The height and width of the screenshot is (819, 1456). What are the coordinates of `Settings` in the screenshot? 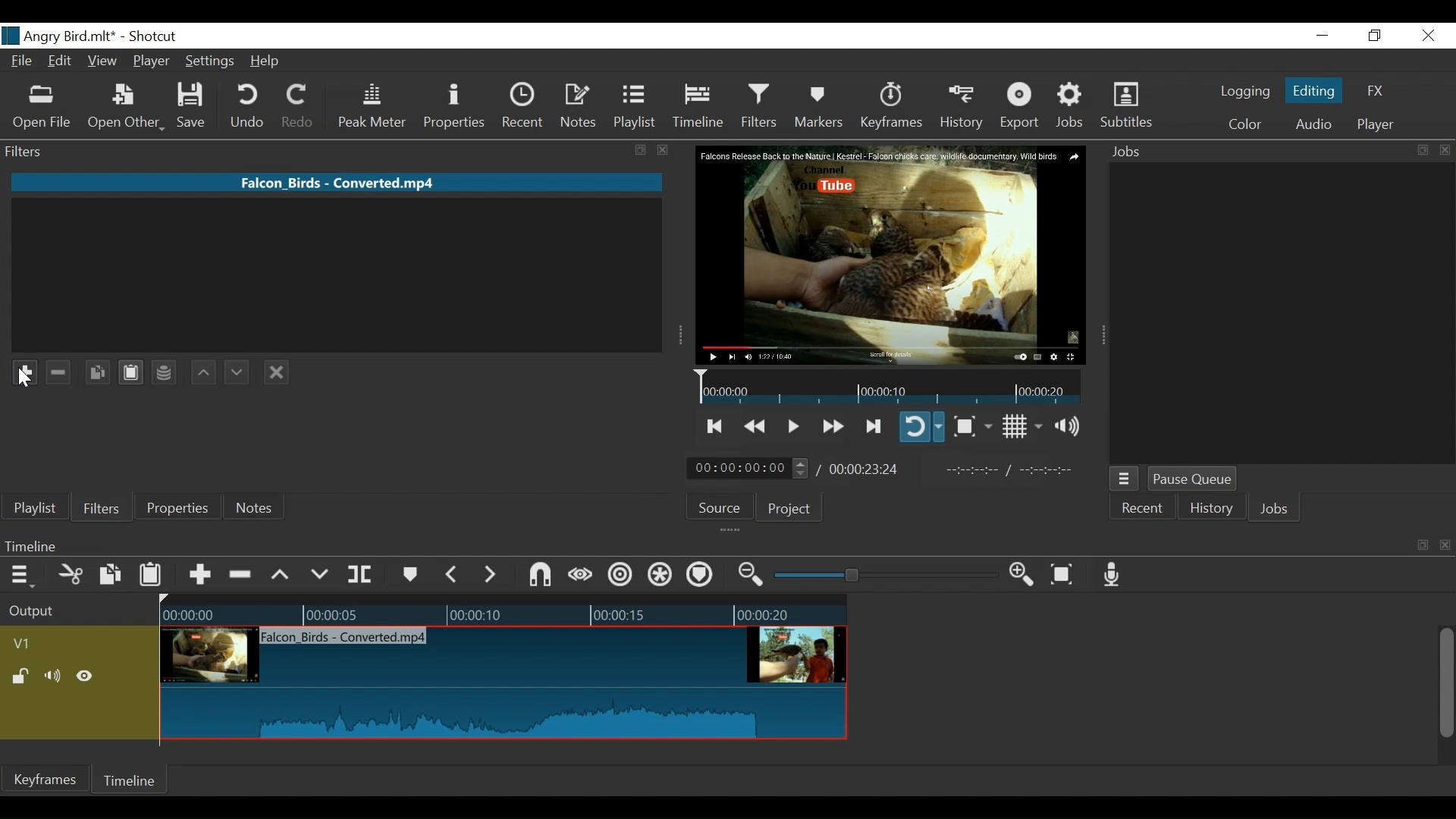 It's located at (211, 63).